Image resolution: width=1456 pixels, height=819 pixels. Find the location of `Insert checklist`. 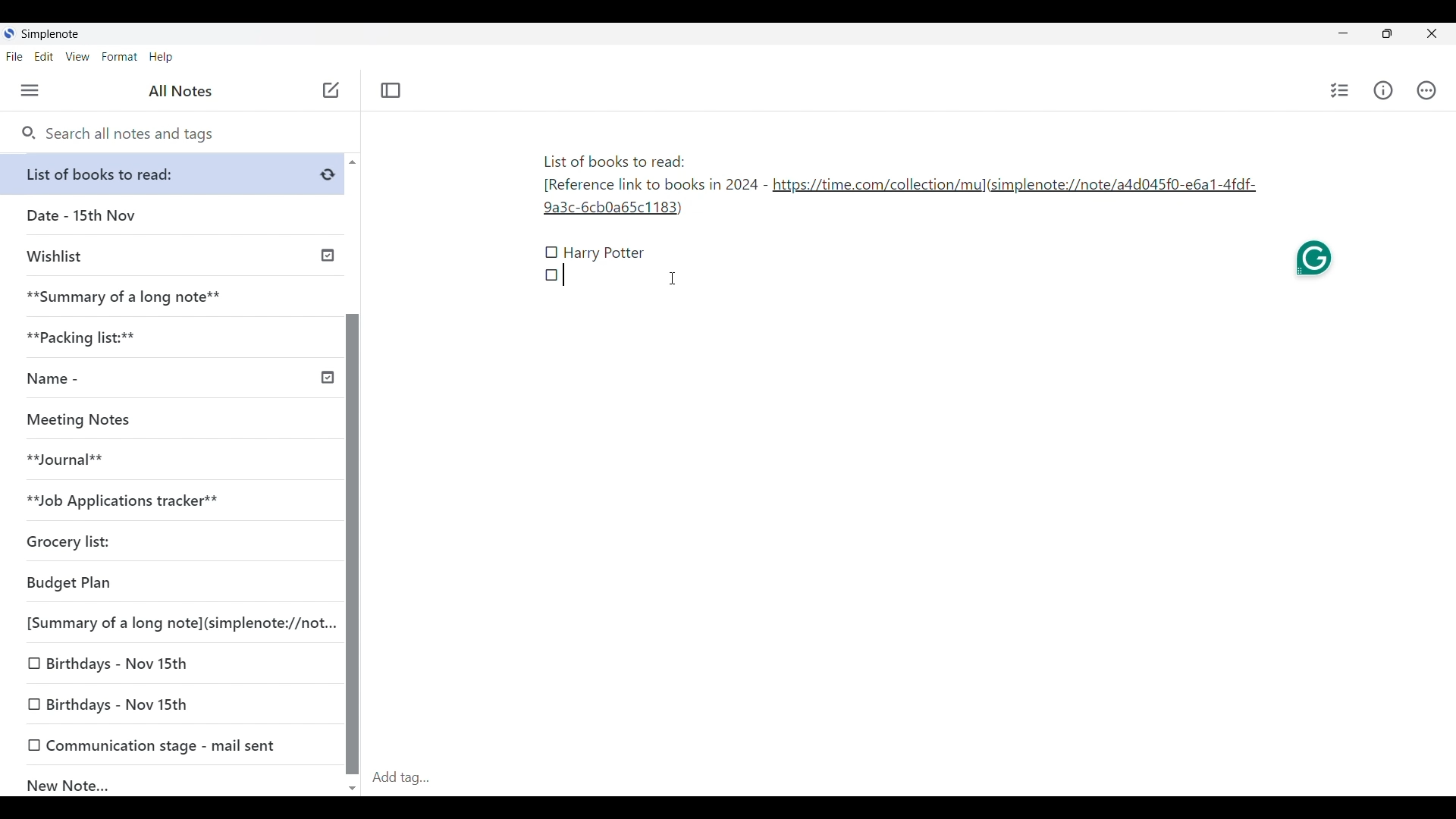

Insert checklist is located at coordinates (1340, 90).